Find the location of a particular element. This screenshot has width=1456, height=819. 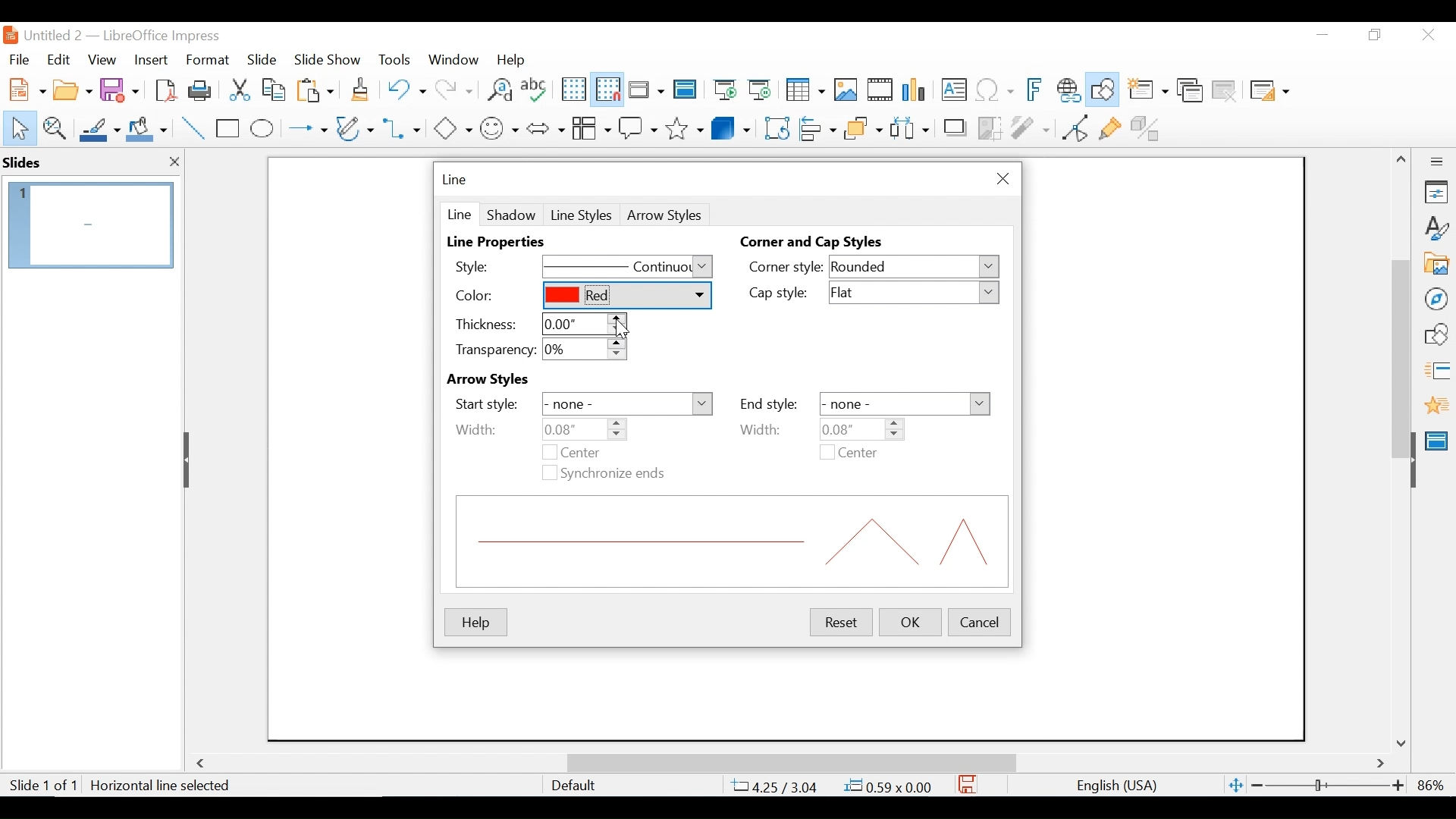

Align Objects is located at coordinates (816, 127).